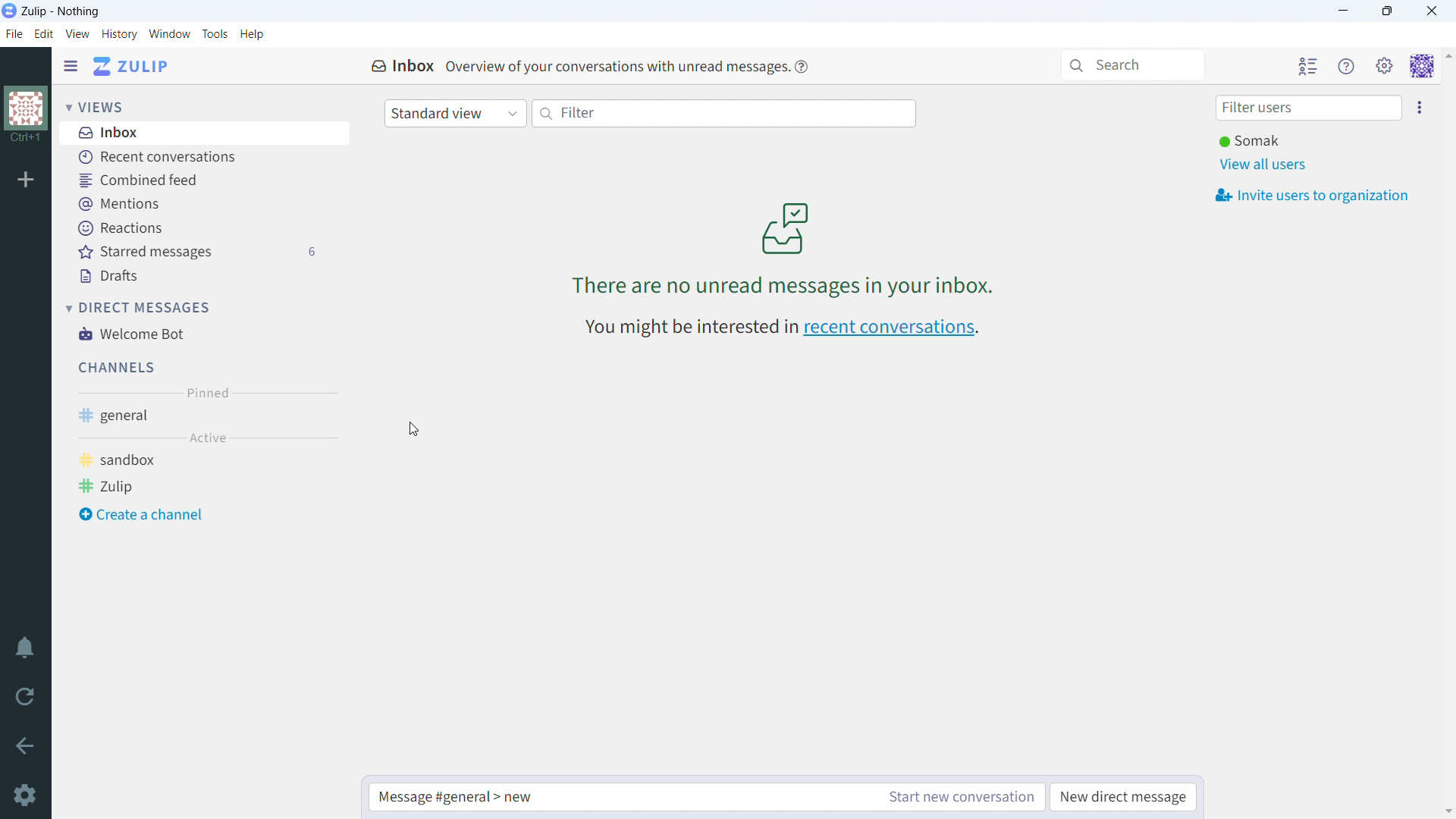 The height and width of the screenshot is (819, 1456). I want to click on history, so click(118, 34).